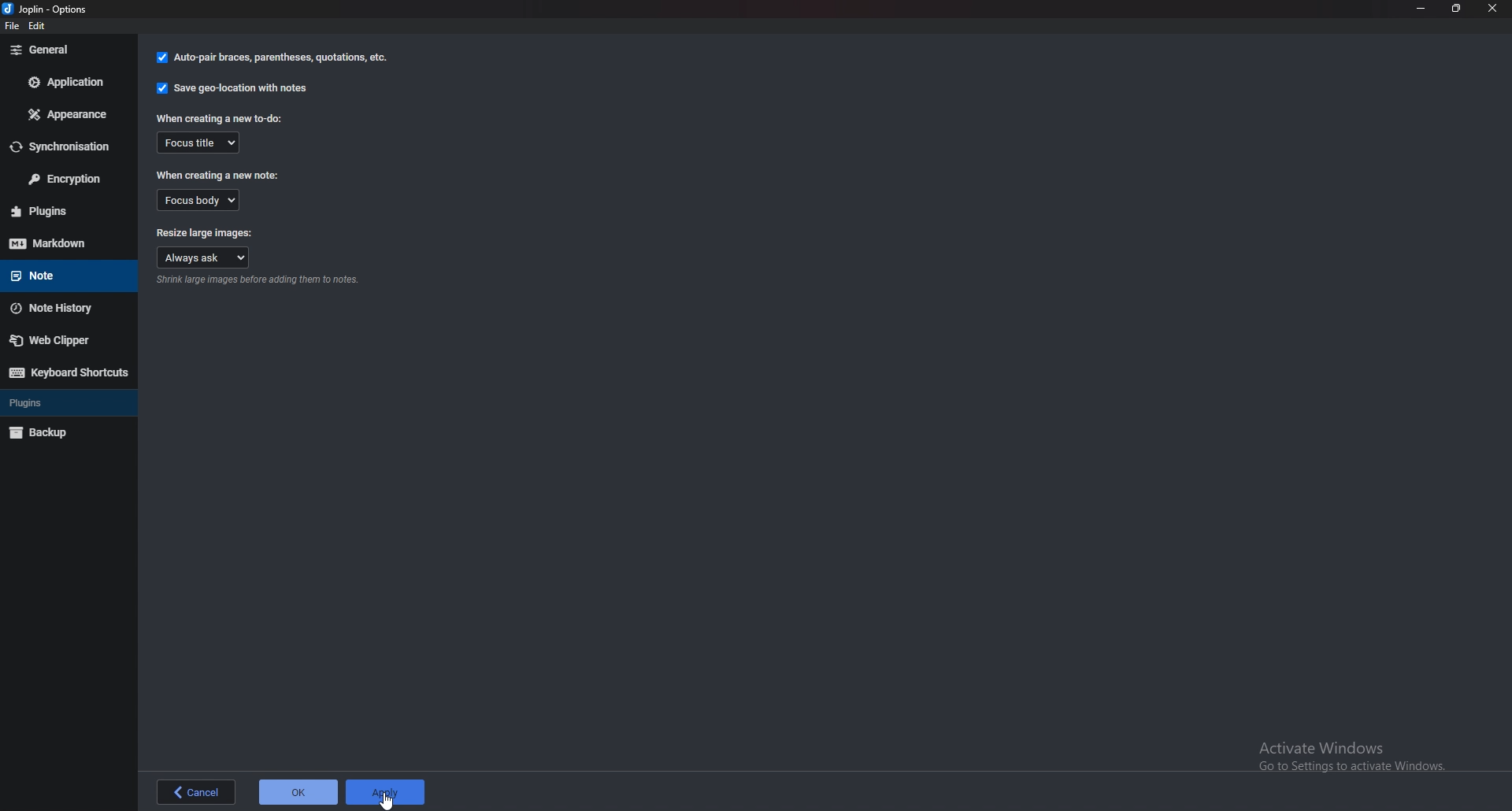 The width and height of the screenshot is (1512, 811). I want to click on Keyboard shortcuts, so click(66, 374).